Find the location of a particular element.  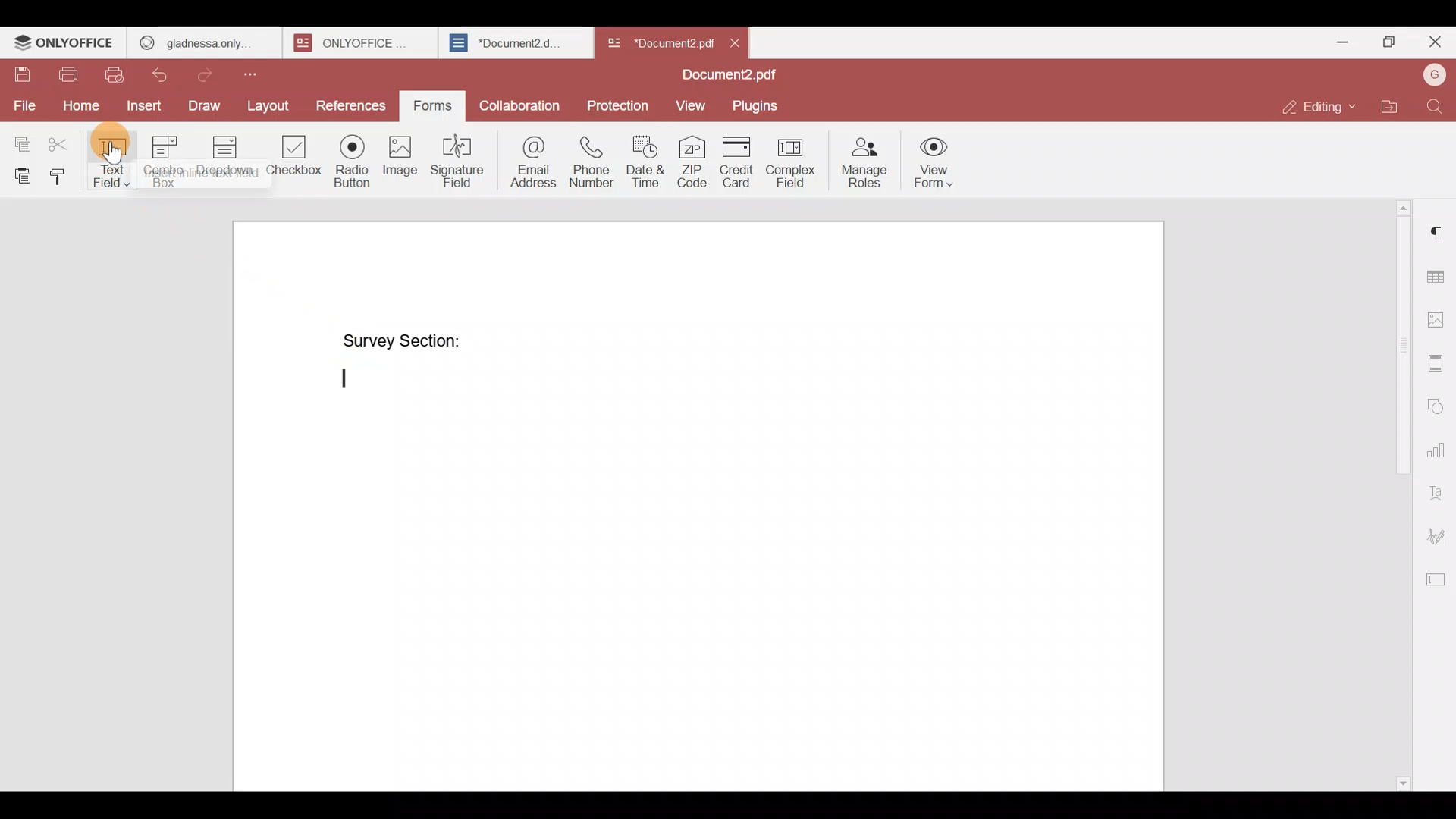

References is located at coordinates (350, 102).